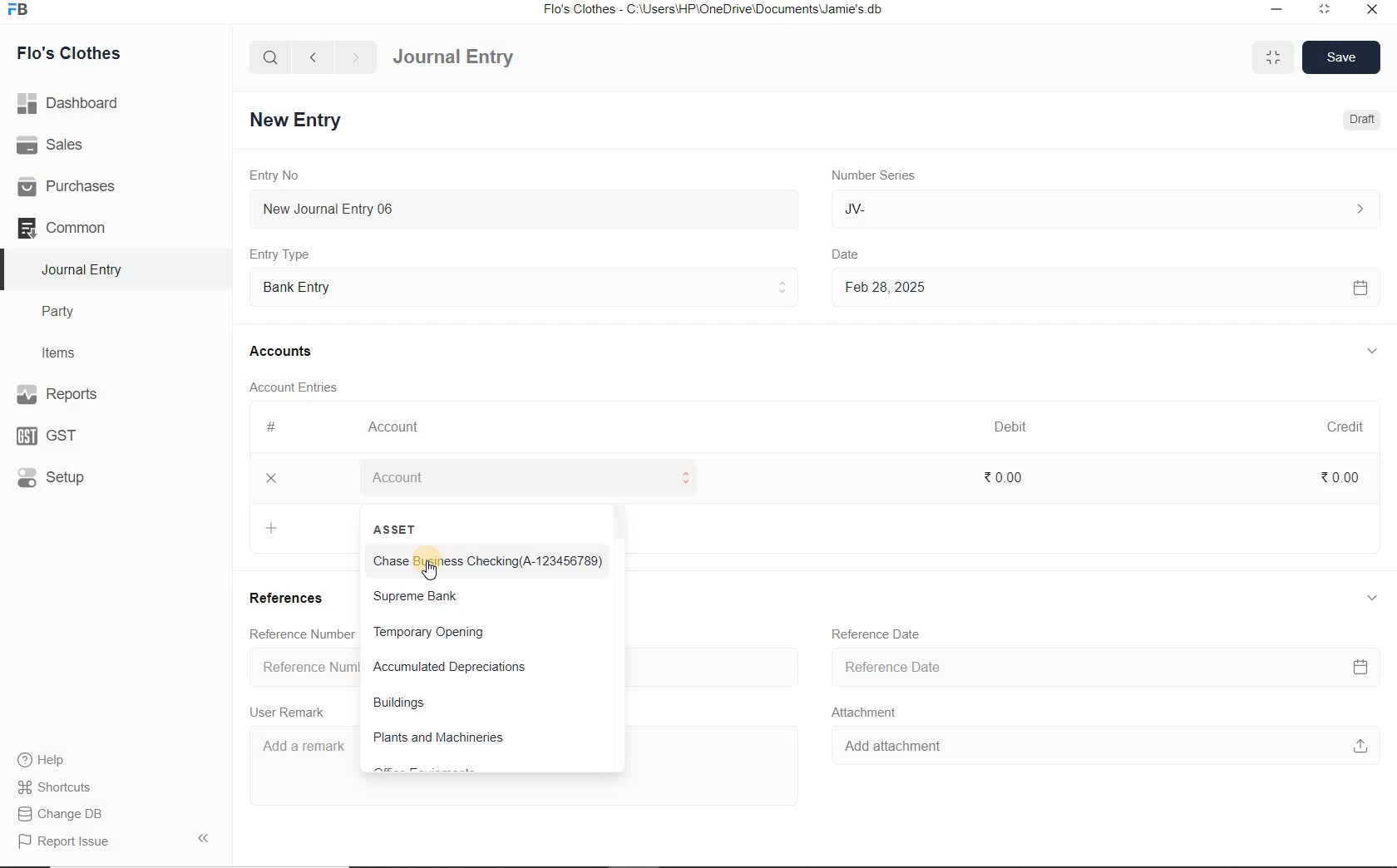 The height and width of the screenshot is (868, 1397). Describe the element at coordinates (1274, 58) in the screenshot. I see `minimise/maximise` at that location.